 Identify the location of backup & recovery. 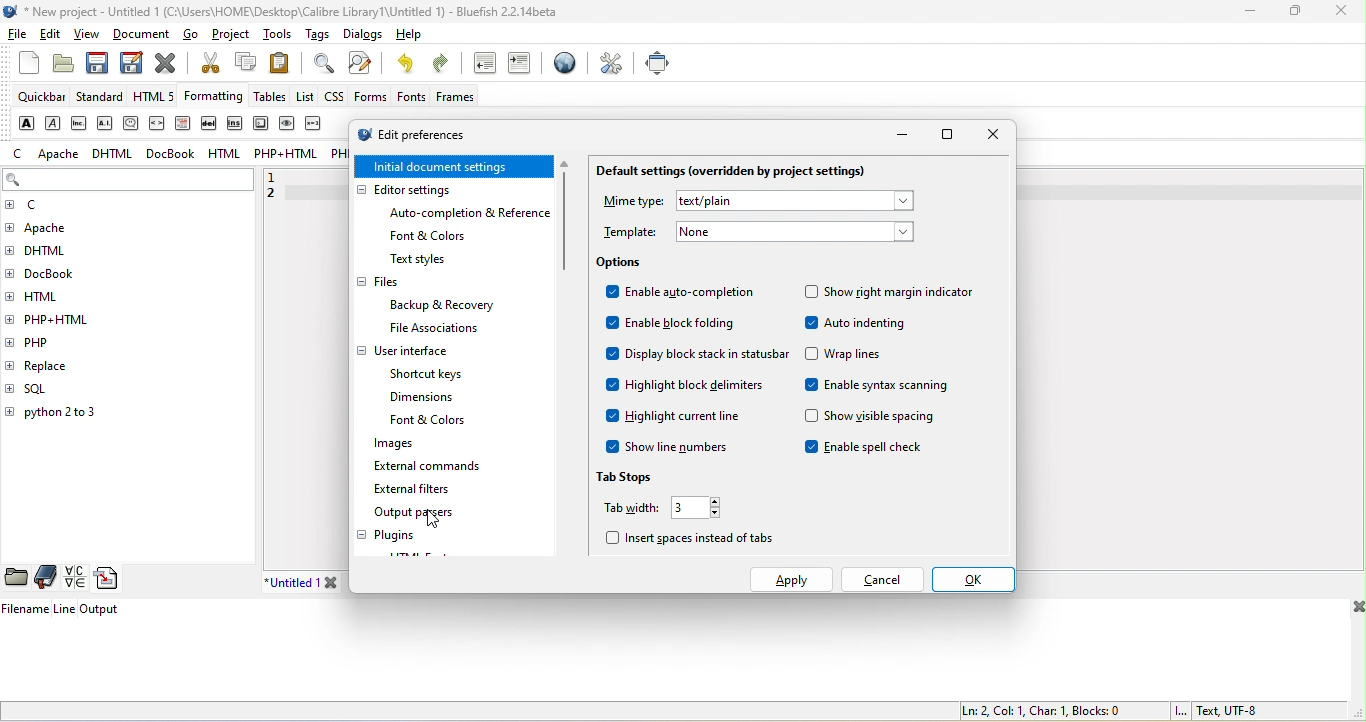
(448, 305).